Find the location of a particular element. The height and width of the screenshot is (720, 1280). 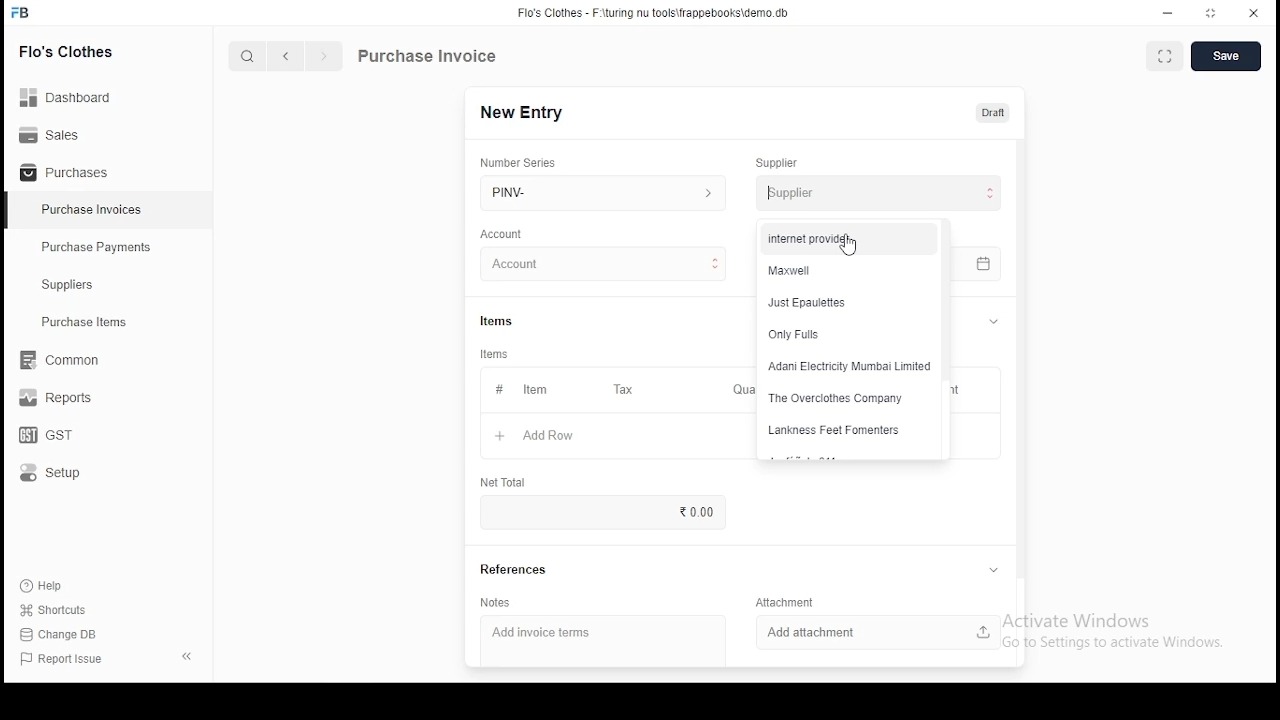

Items is located at coordinates (495, 354).